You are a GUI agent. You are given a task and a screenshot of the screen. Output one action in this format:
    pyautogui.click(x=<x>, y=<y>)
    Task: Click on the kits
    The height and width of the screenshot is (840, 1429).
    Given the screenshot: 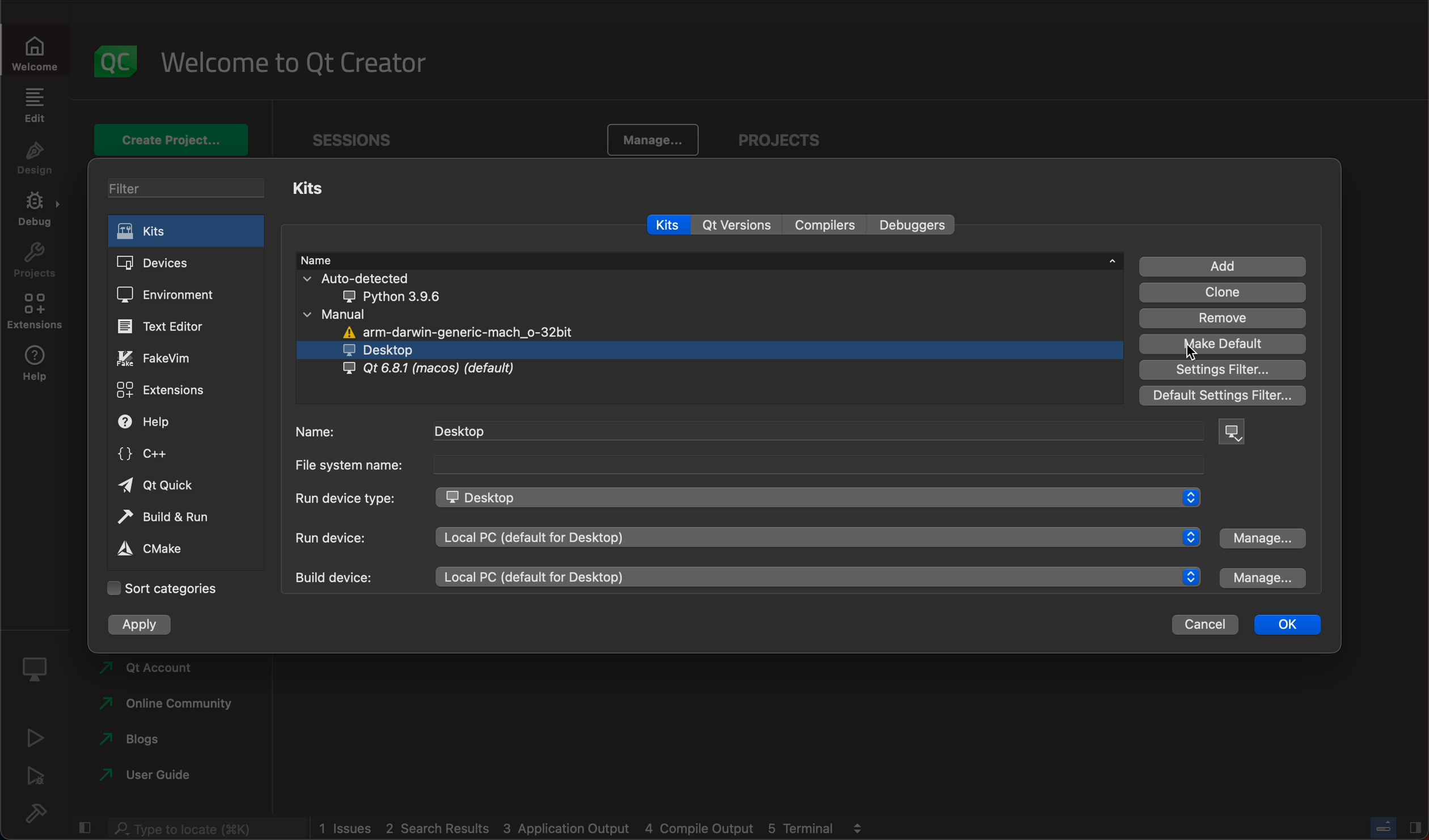 What is the action you would take?
    pyautogui.click(x=315, y=189)
    